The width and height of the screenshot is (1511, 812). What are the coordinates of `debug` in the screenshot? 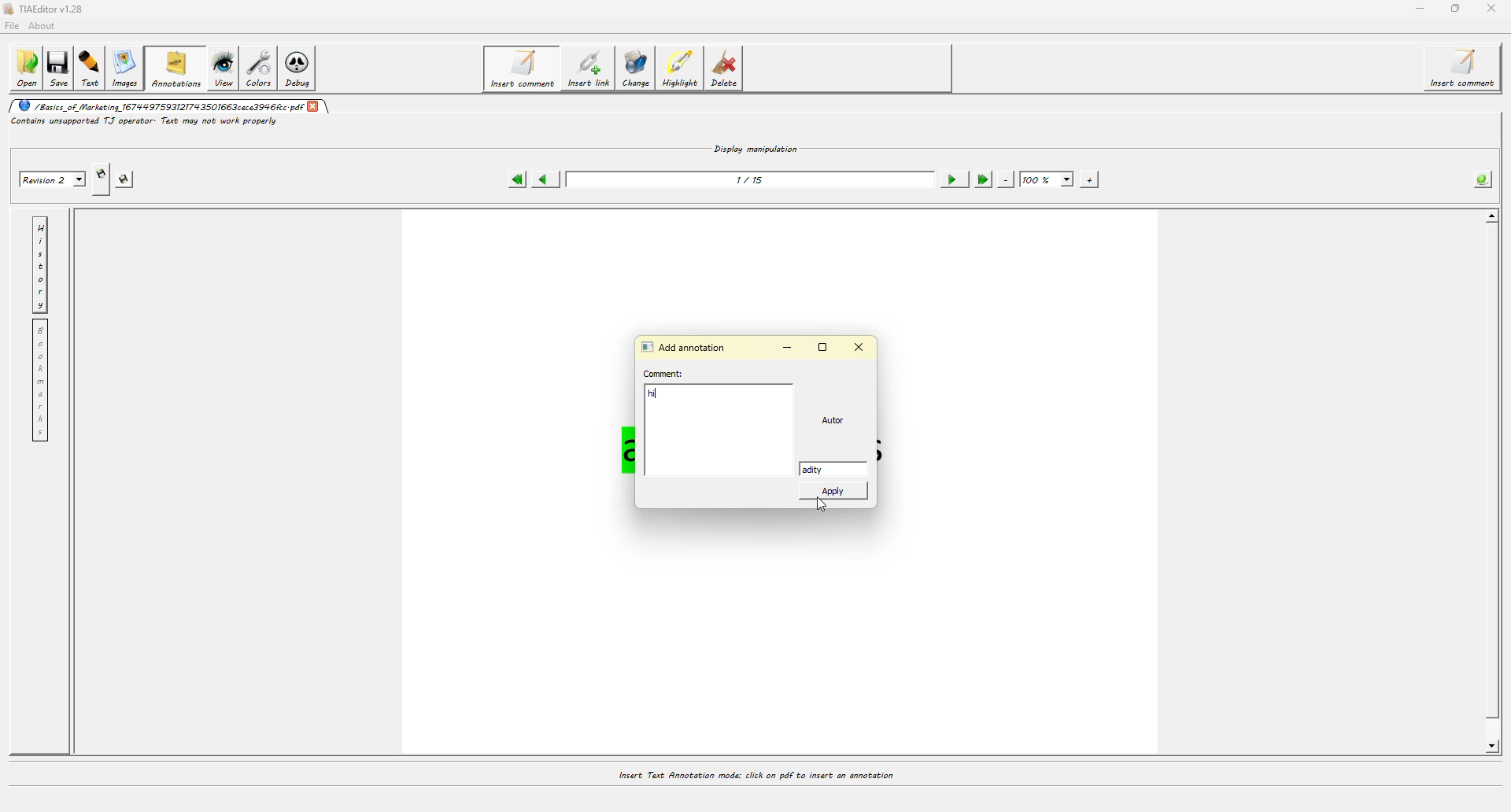 It's located at (302, 70).